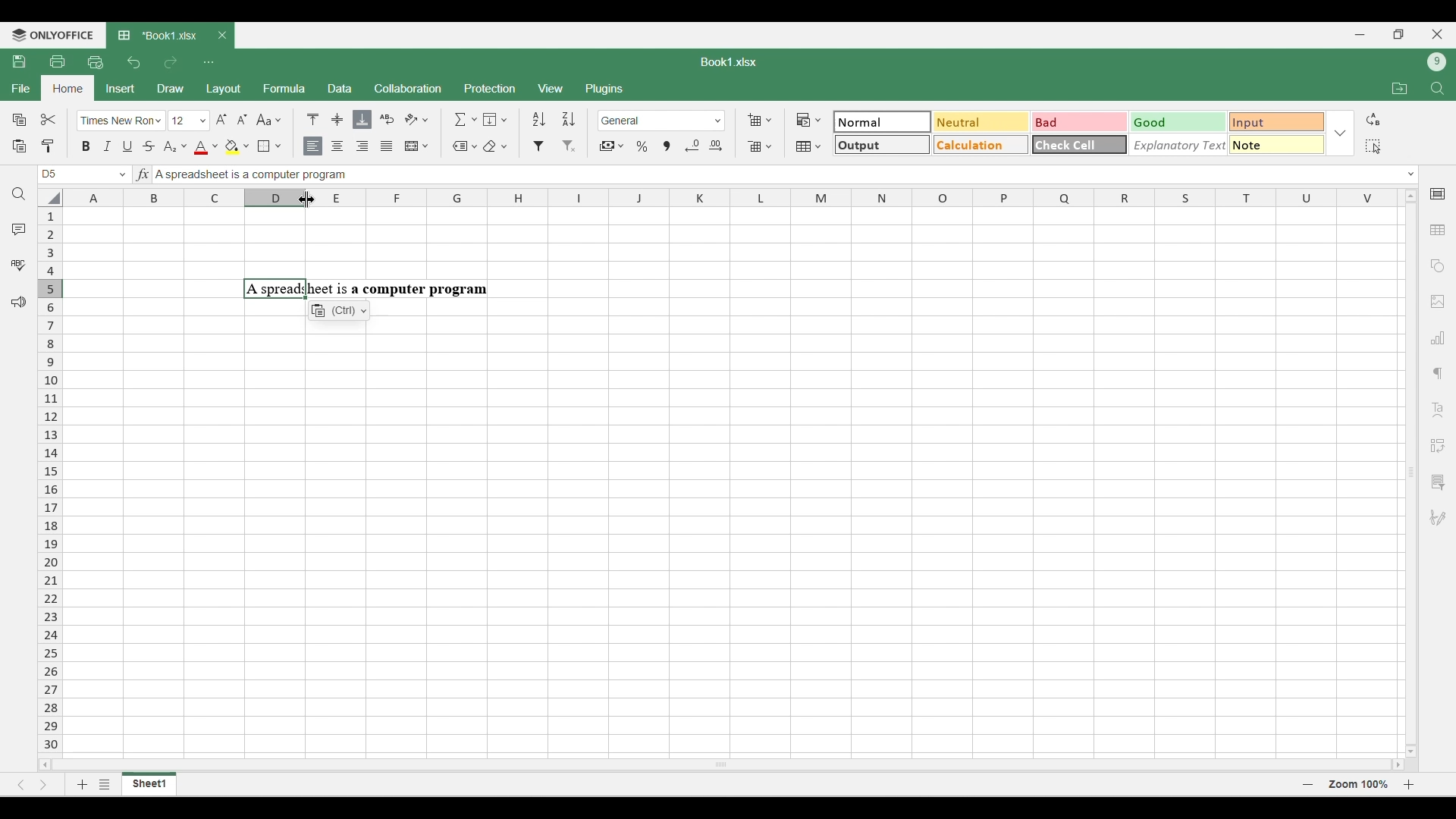  Describe the element at coordinates (307, 199) in the screenshot. I see `Cursor ` at that location.